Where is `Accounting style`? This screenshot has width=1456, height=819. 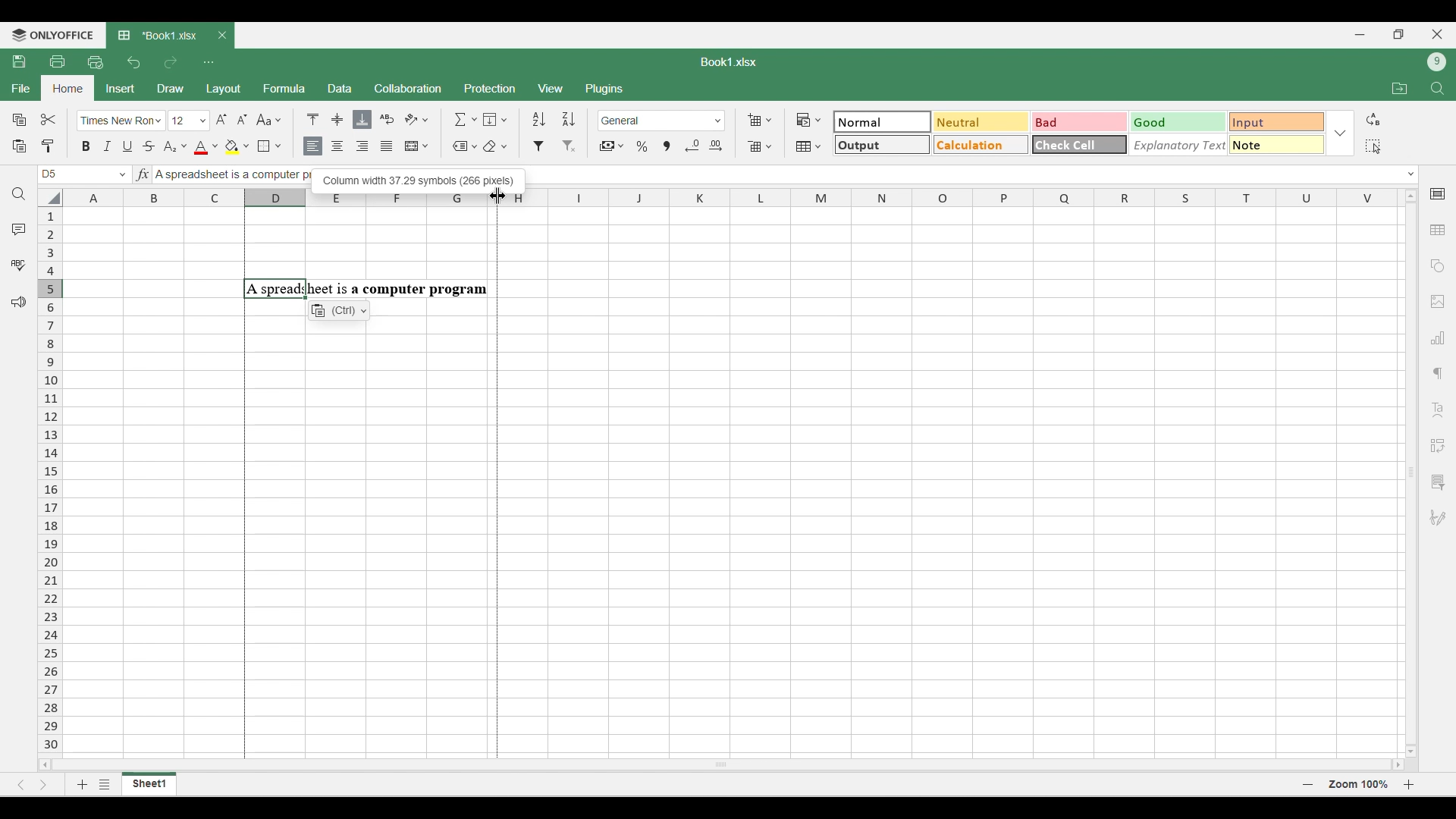 Accounting style is located at coordinates (613, 146).